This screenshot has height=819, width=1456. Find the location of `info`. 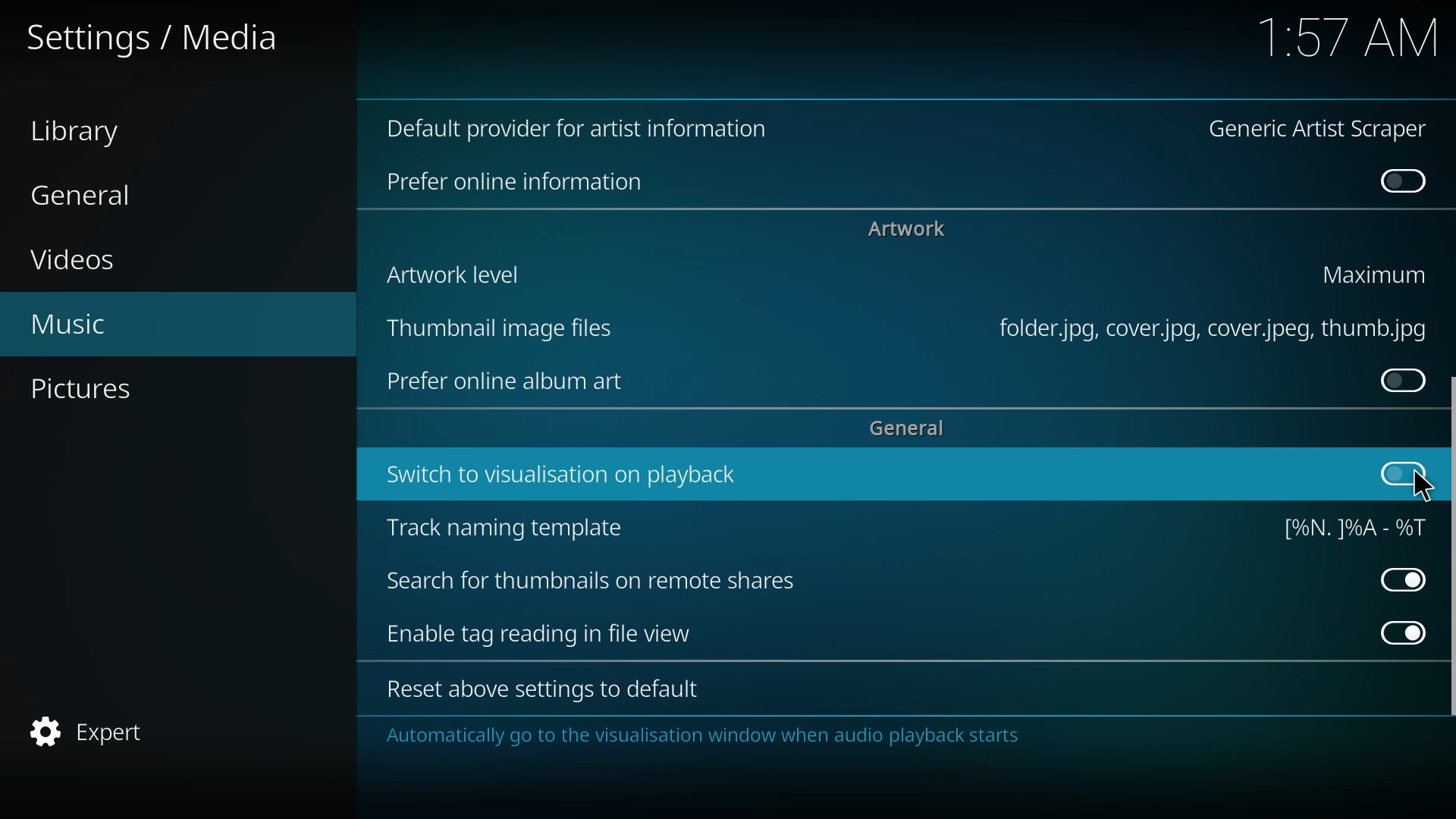

info is located at coordinates (701, 736).